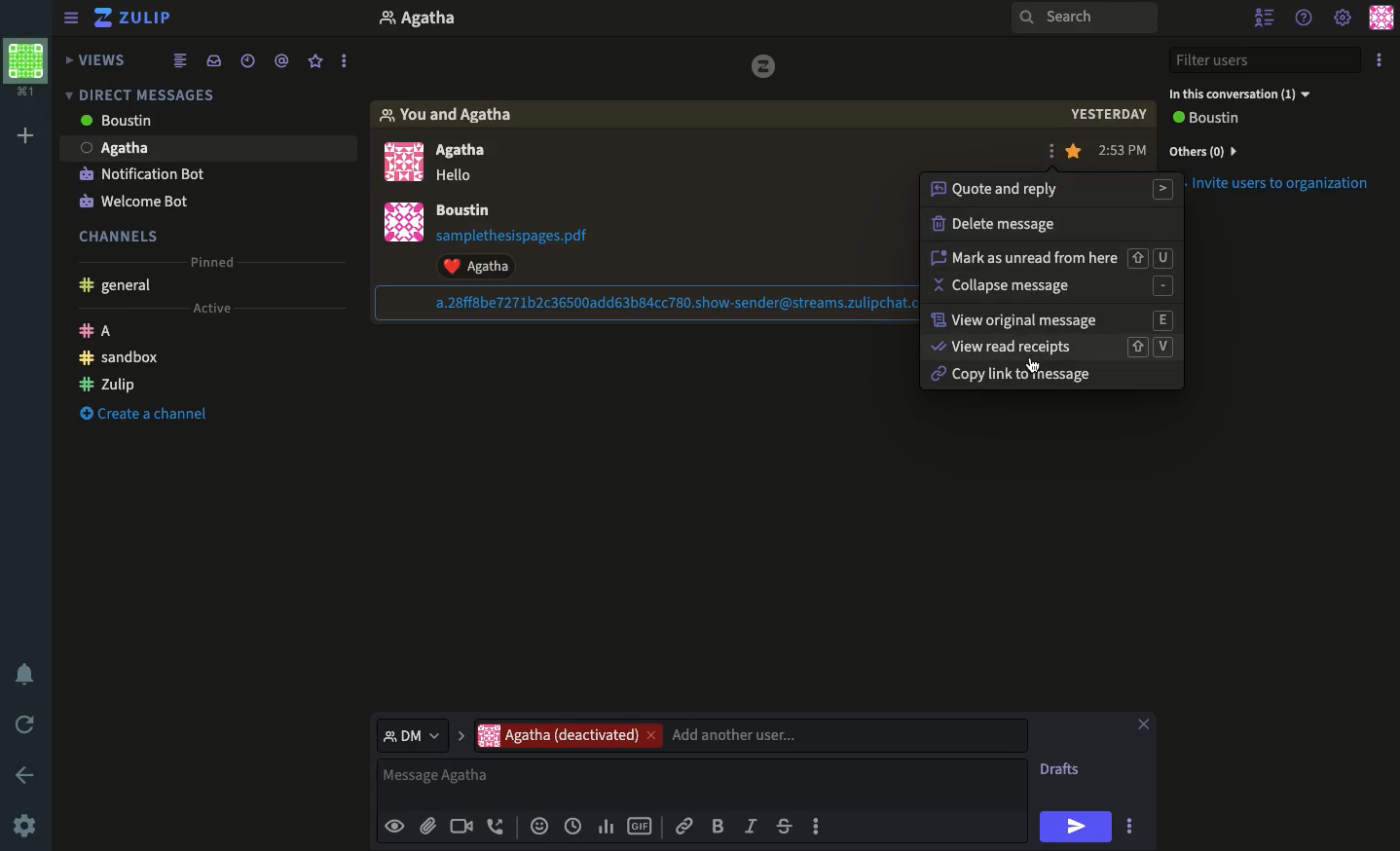  I want to click on Add global time, so click(576, 826).